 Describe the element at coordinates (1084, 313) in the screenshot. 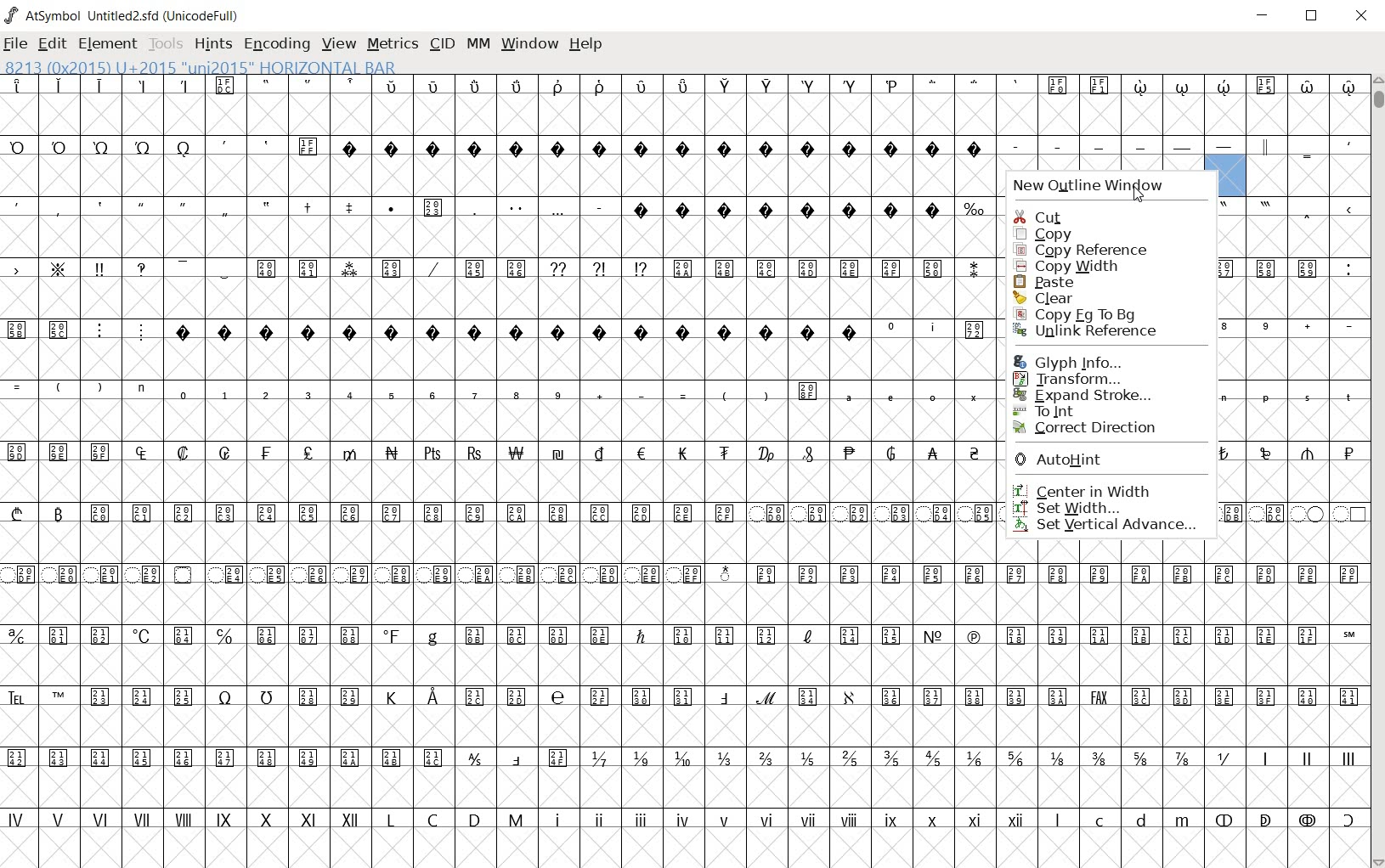

I see `Copy Fg to Bg` at that location.